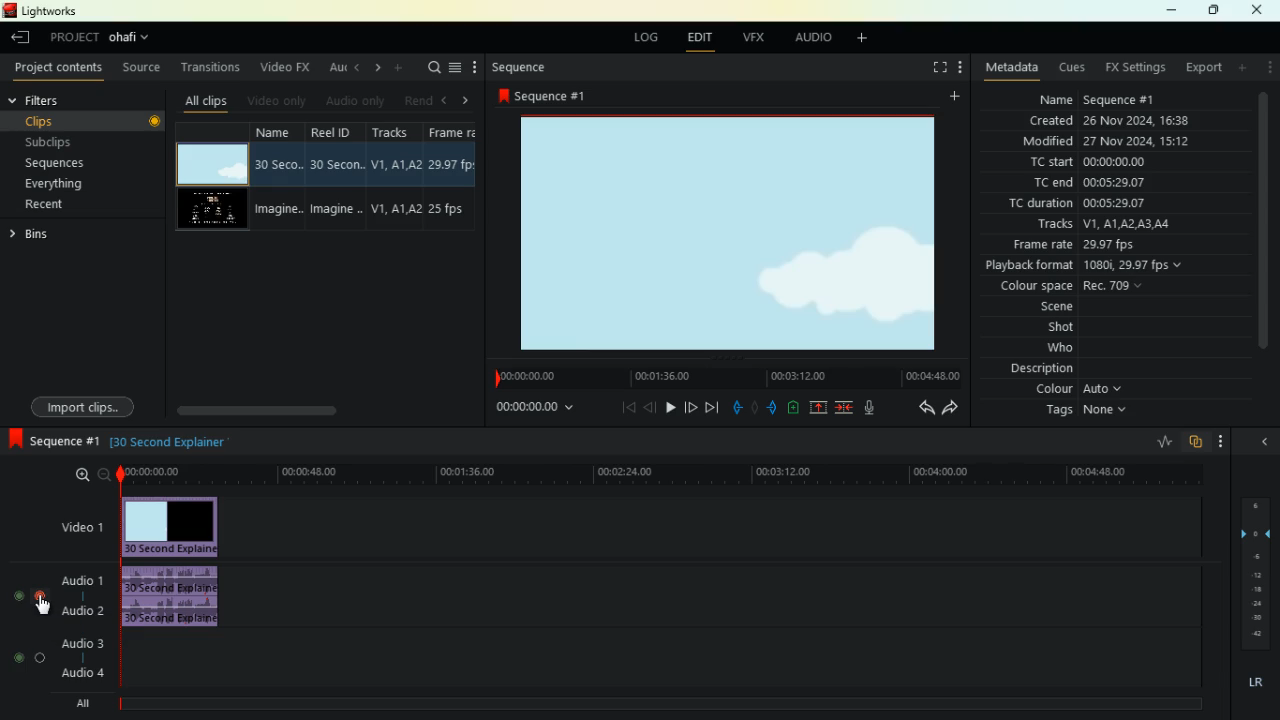 The image size is (1280, 720). What do you see at coordinates (711, 408) in the screenshot?
I see `end` at bounding box center [711, 408].